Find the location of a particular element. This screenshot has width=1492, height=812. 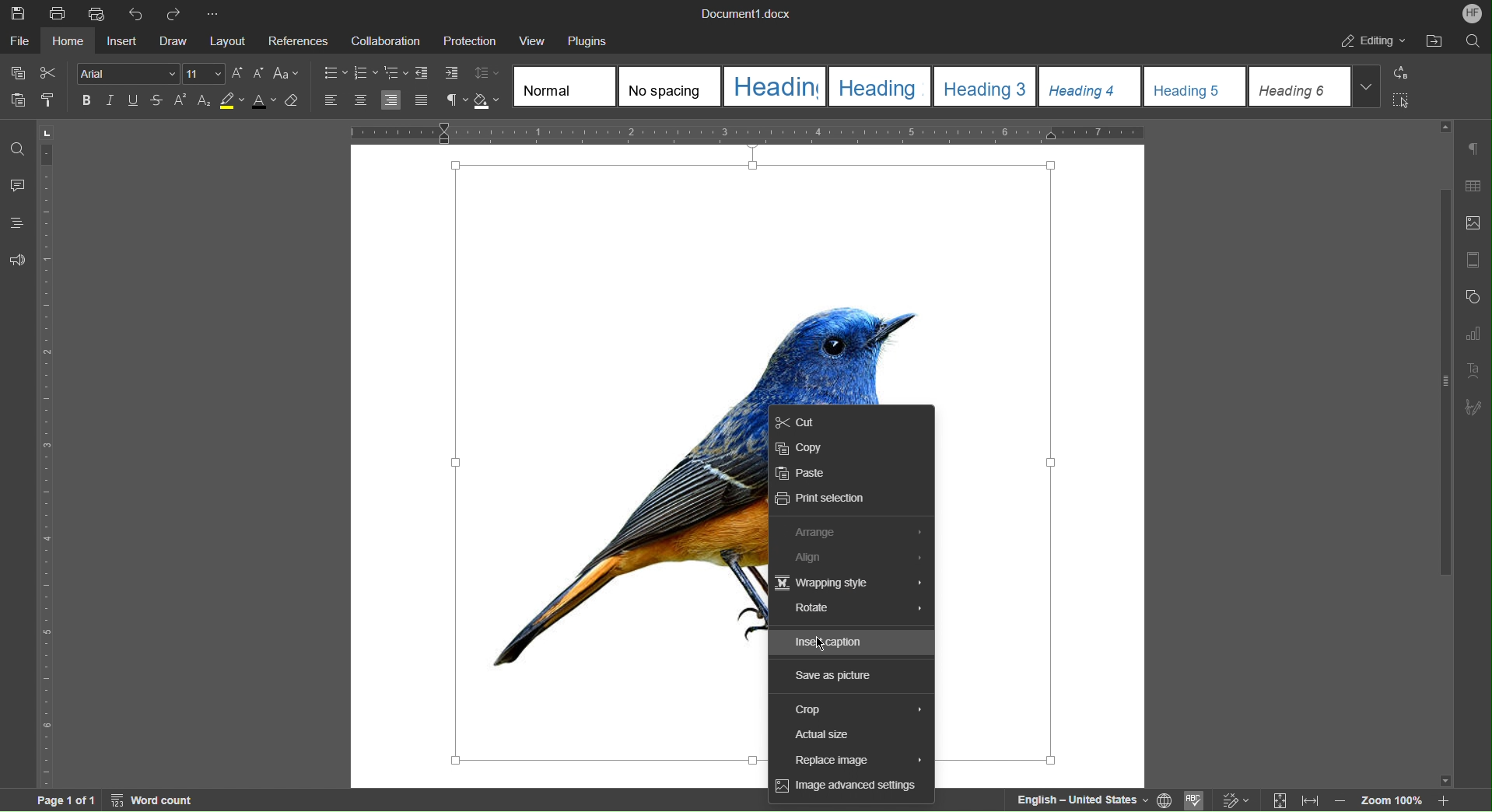

Non-Printing Characters is located at coordinates (1474, 148).